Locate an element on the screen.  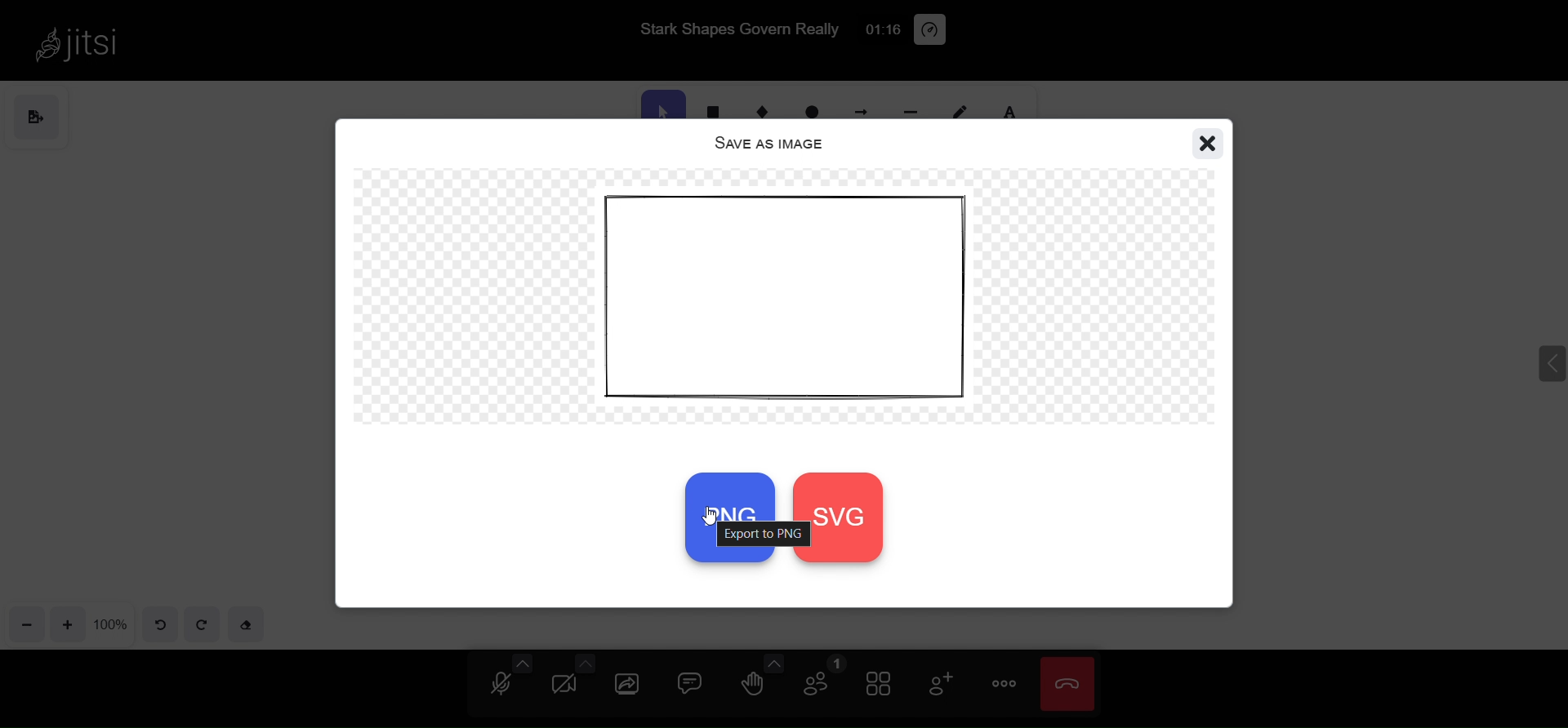
more is located at coordinates (1003, 681).